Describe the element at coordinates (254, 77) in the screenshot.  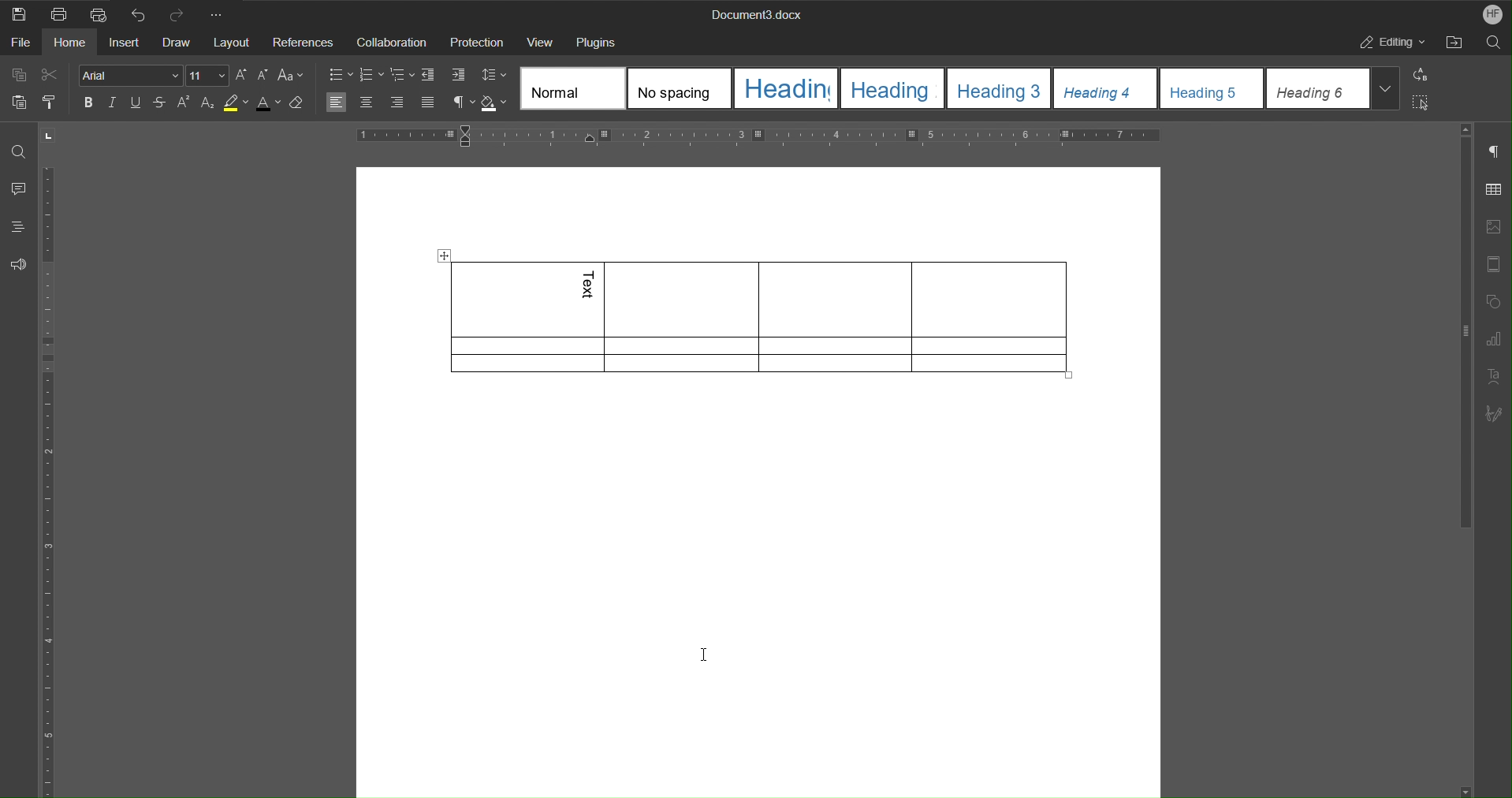
I see `Font size` at that location.